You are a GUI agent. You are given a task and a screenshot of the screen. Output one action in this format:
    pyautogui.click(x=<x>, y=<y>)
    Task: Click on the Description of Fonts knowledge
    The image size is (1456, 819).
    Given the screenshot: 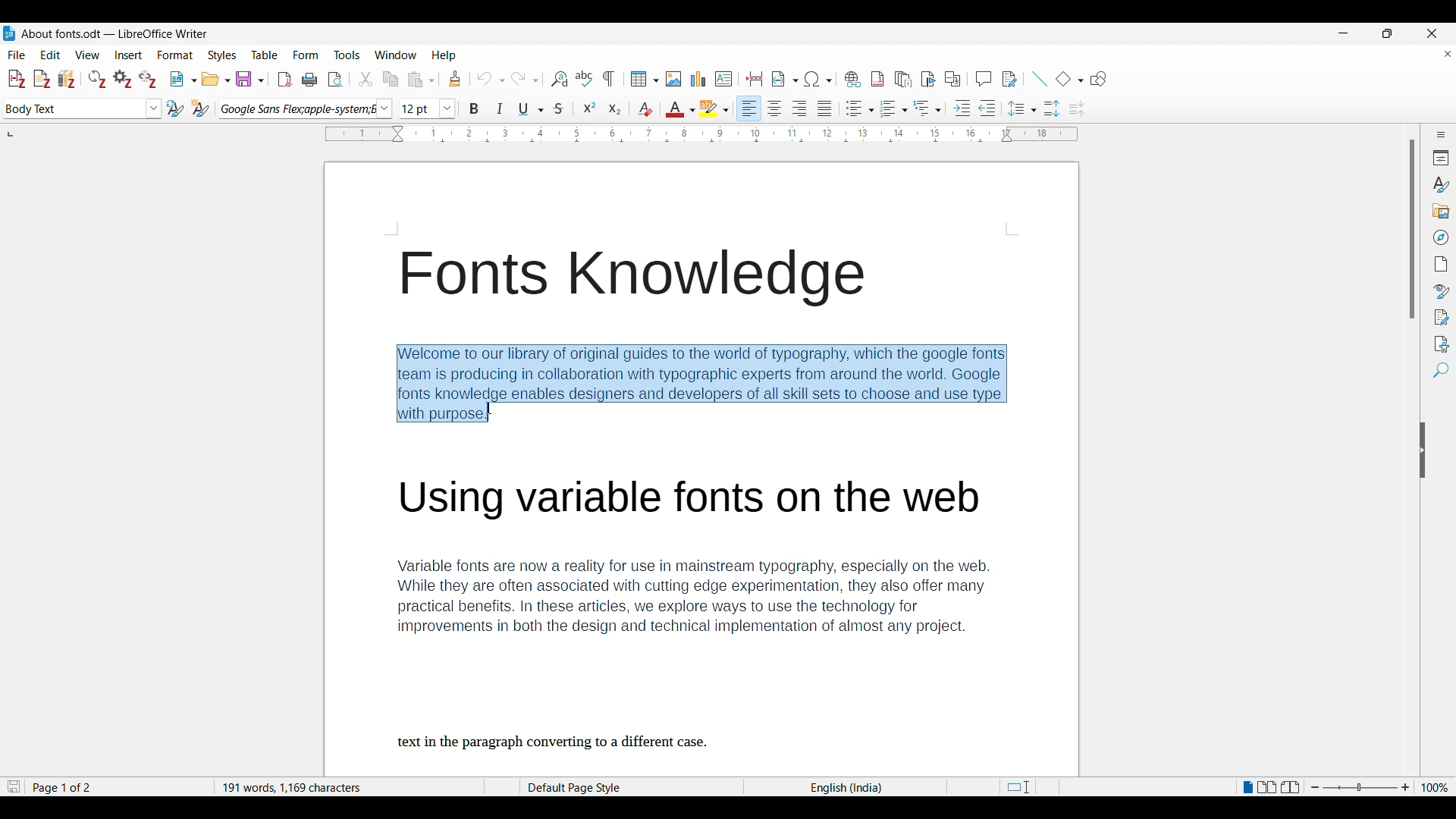 What is the action you would take?
    pyautogui.click(x=702, y=383)
    